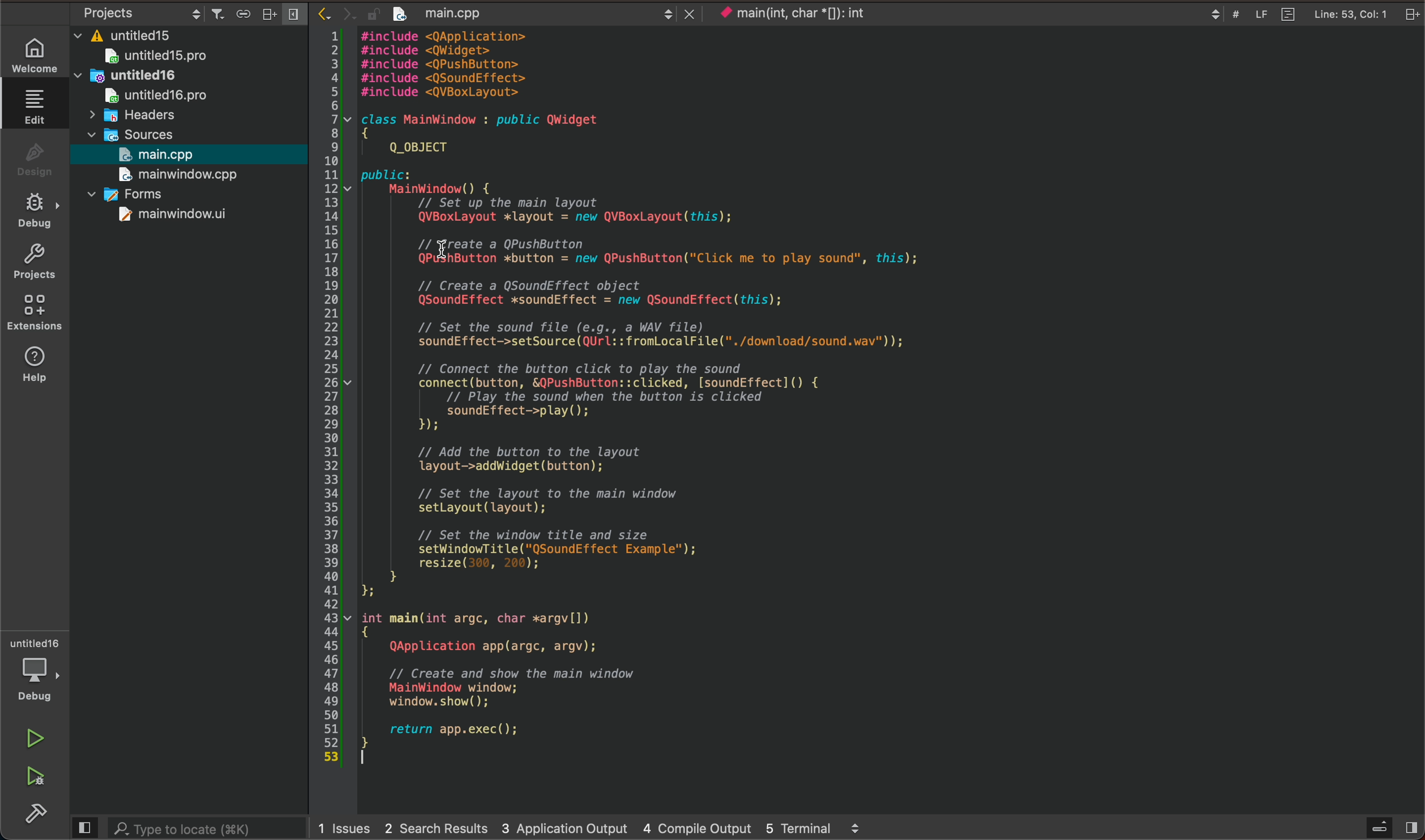  I want to click on run and build, so click(35, 777).